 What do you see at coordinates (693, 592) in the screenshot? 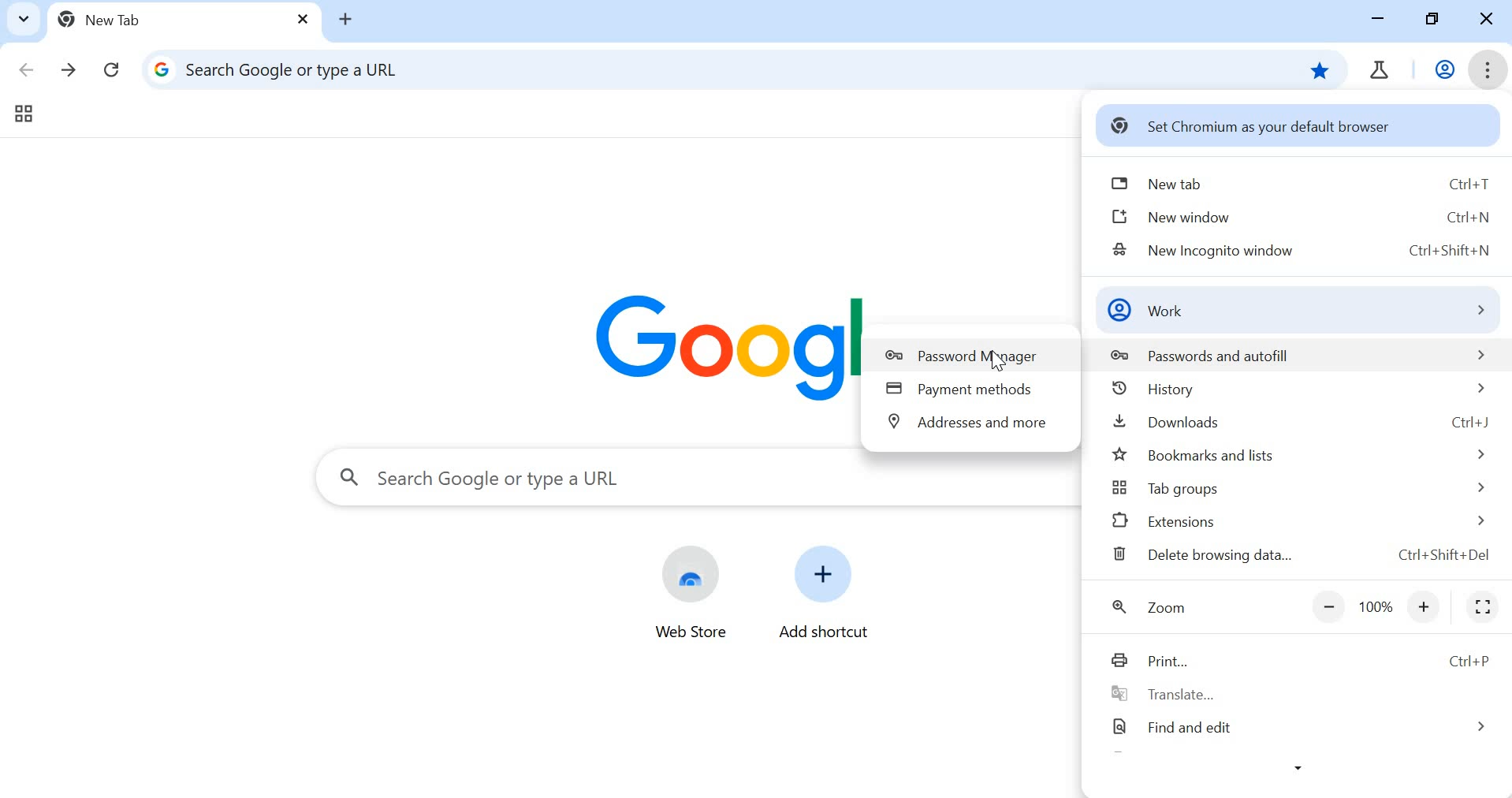
I see `web store` at bounding box center [693, 592].